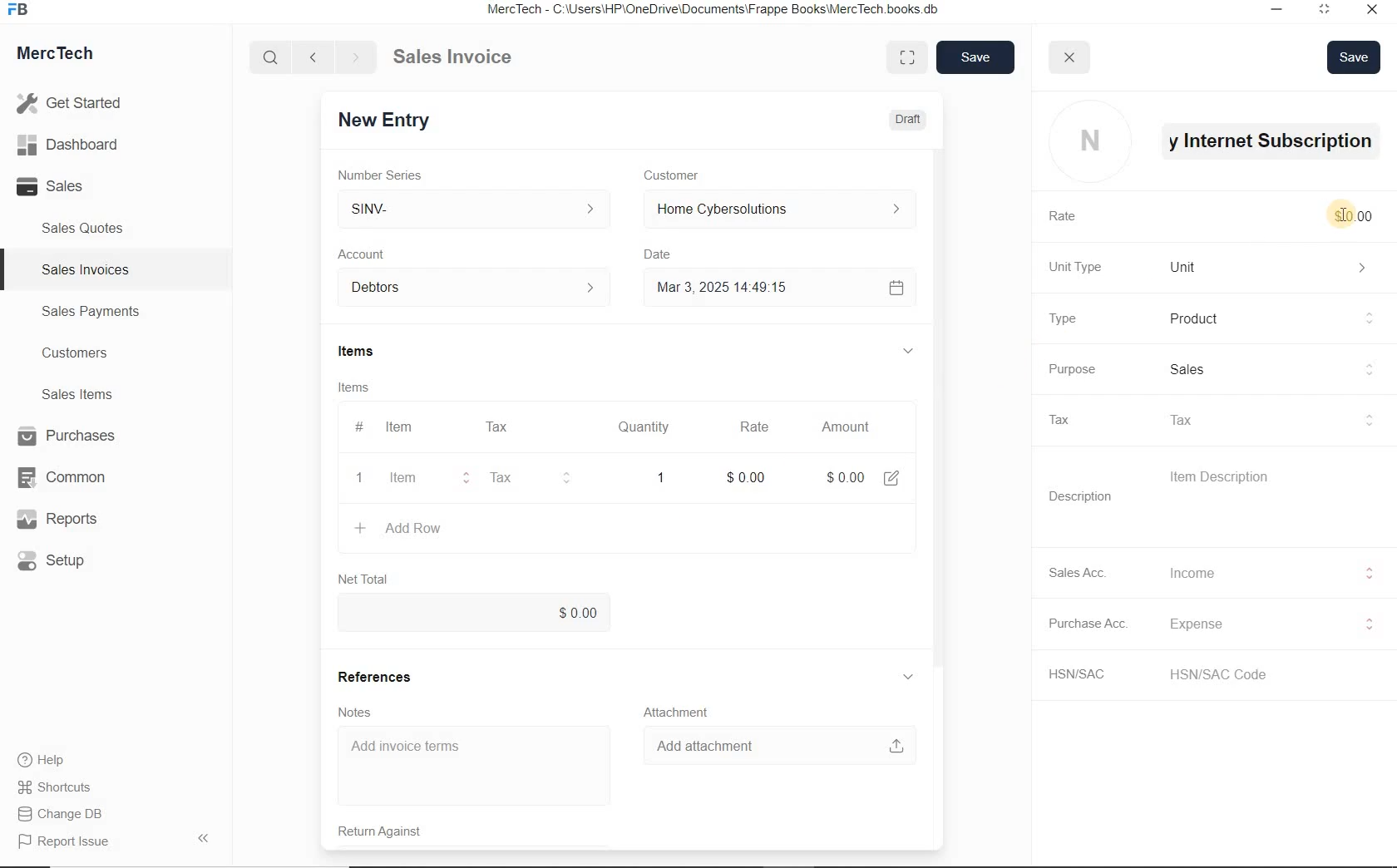 The height and width of the screenshot is (868, 1397). Describe the element at coordinates (401, 427) in the screenshot. I see `Item` at that location.